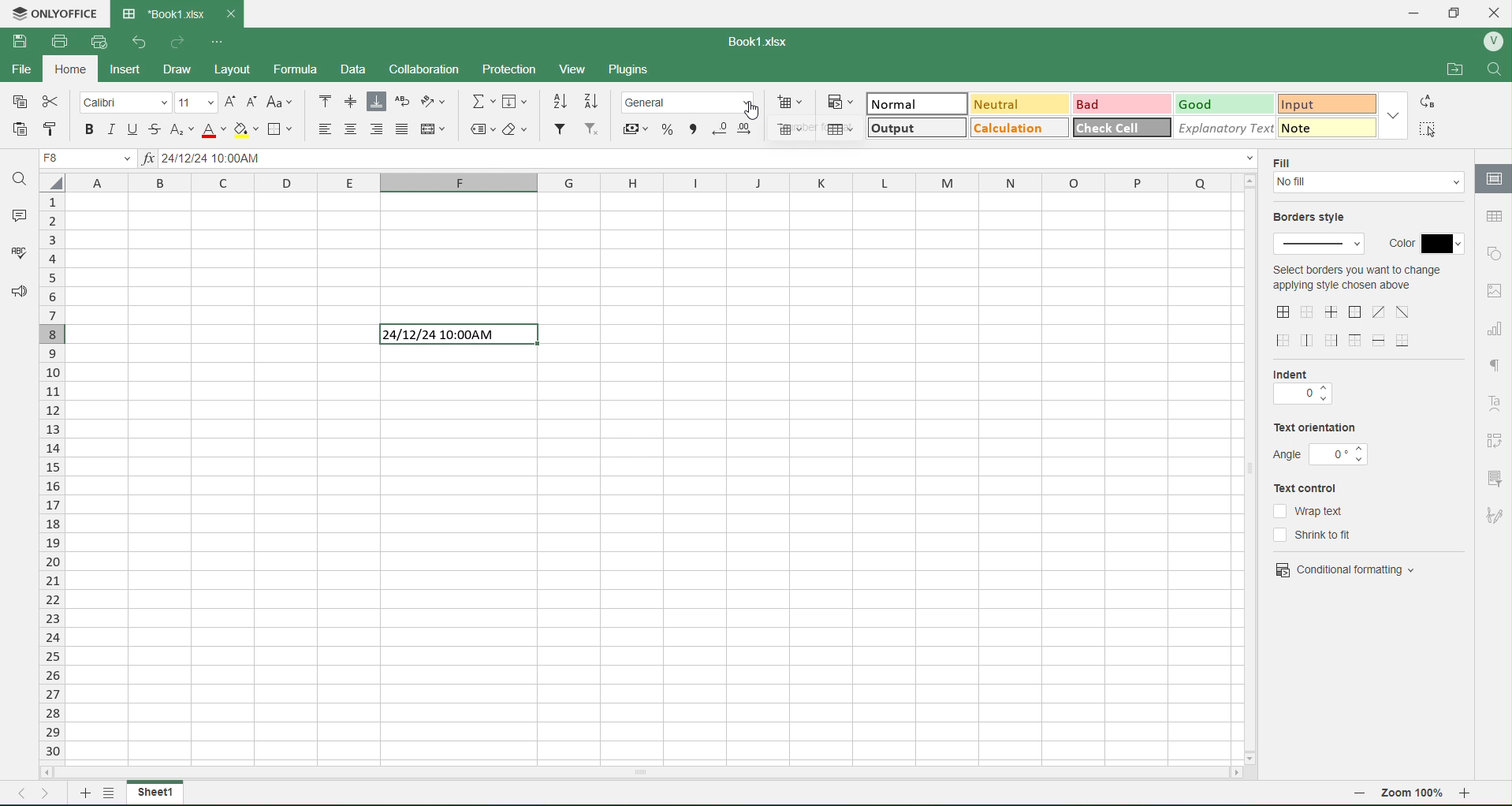 This screenshot has width=1512, height=806. Describe the element at coordinates (1494, 252) in the screenshot. I see `shapes` at that location.